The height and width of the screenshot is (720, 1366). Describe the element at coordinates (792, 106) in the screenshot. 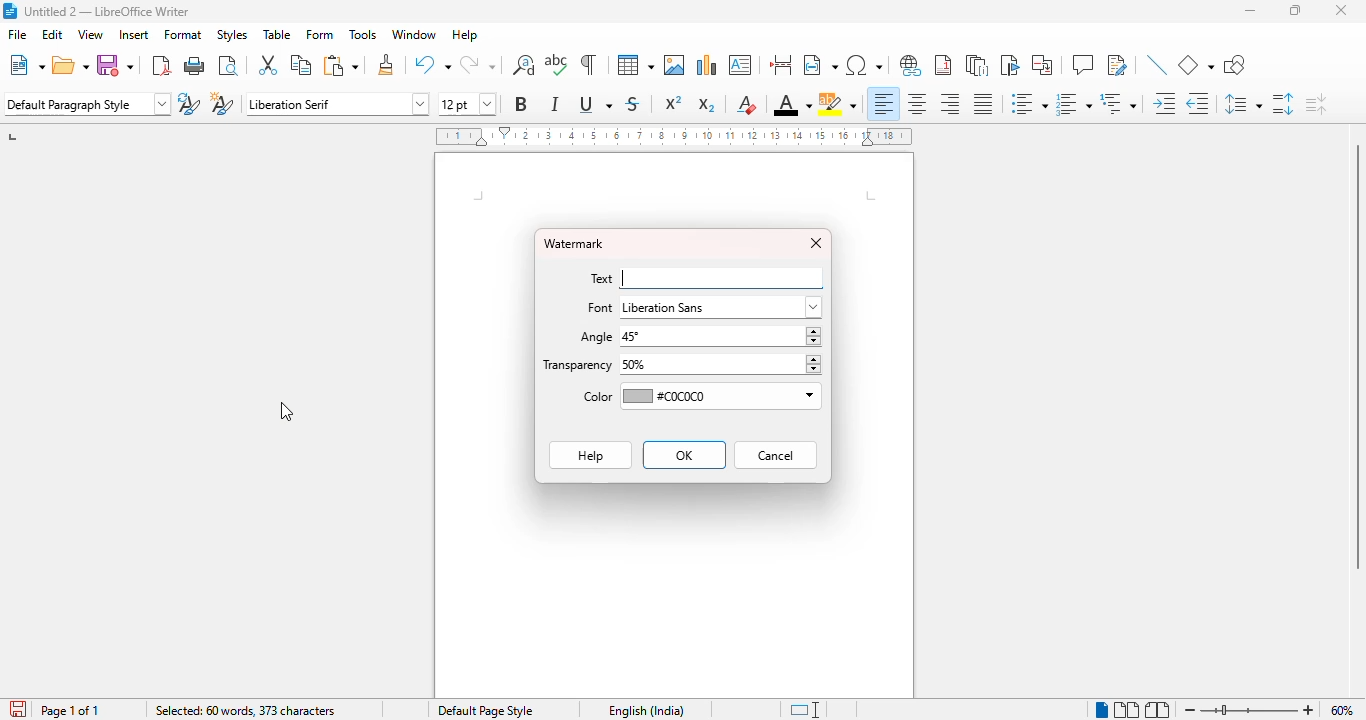

I see `font color` at that location.